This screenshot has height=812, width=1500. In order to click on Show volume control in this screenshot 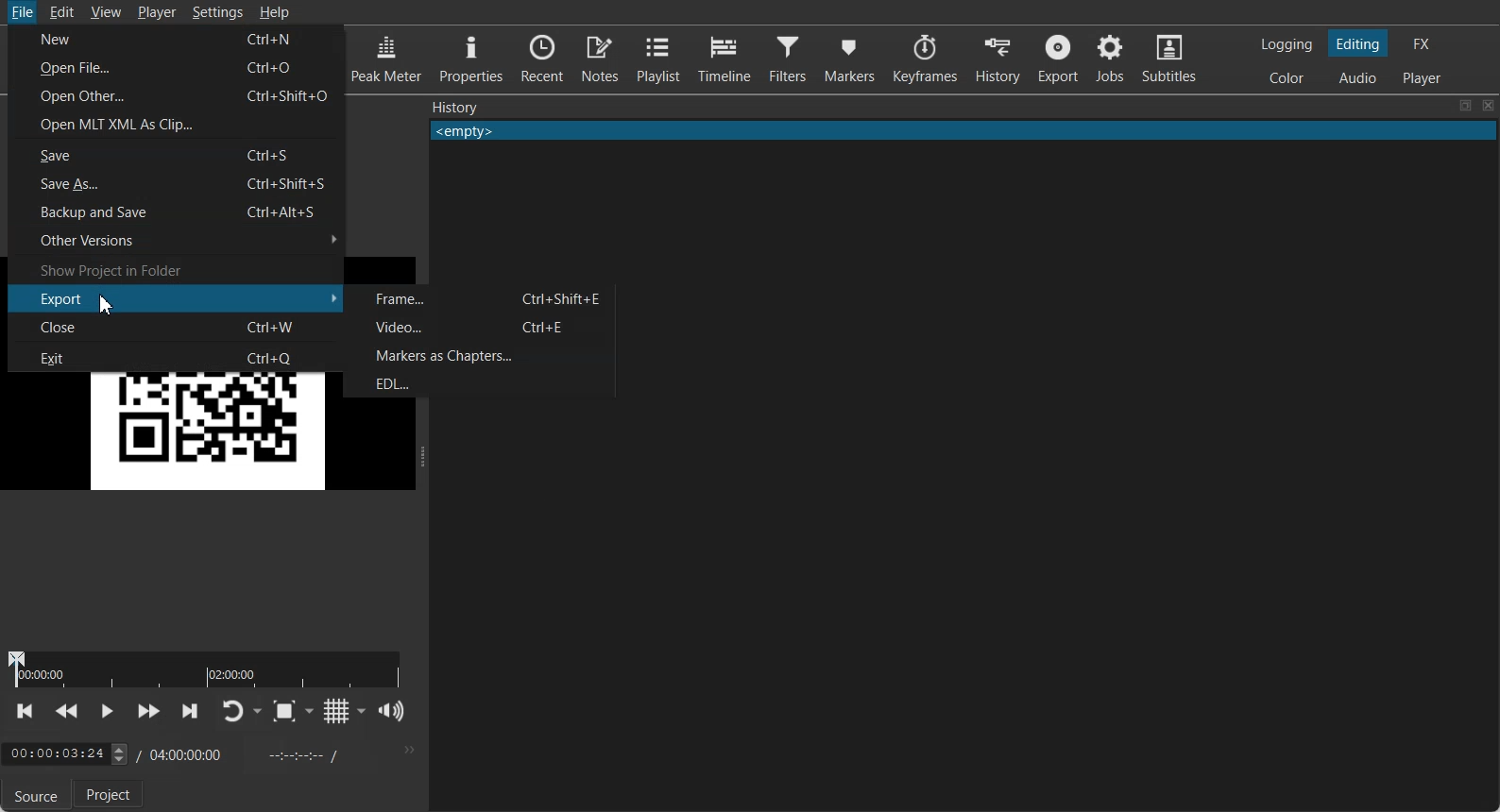, I will do `click(392, 711)`.